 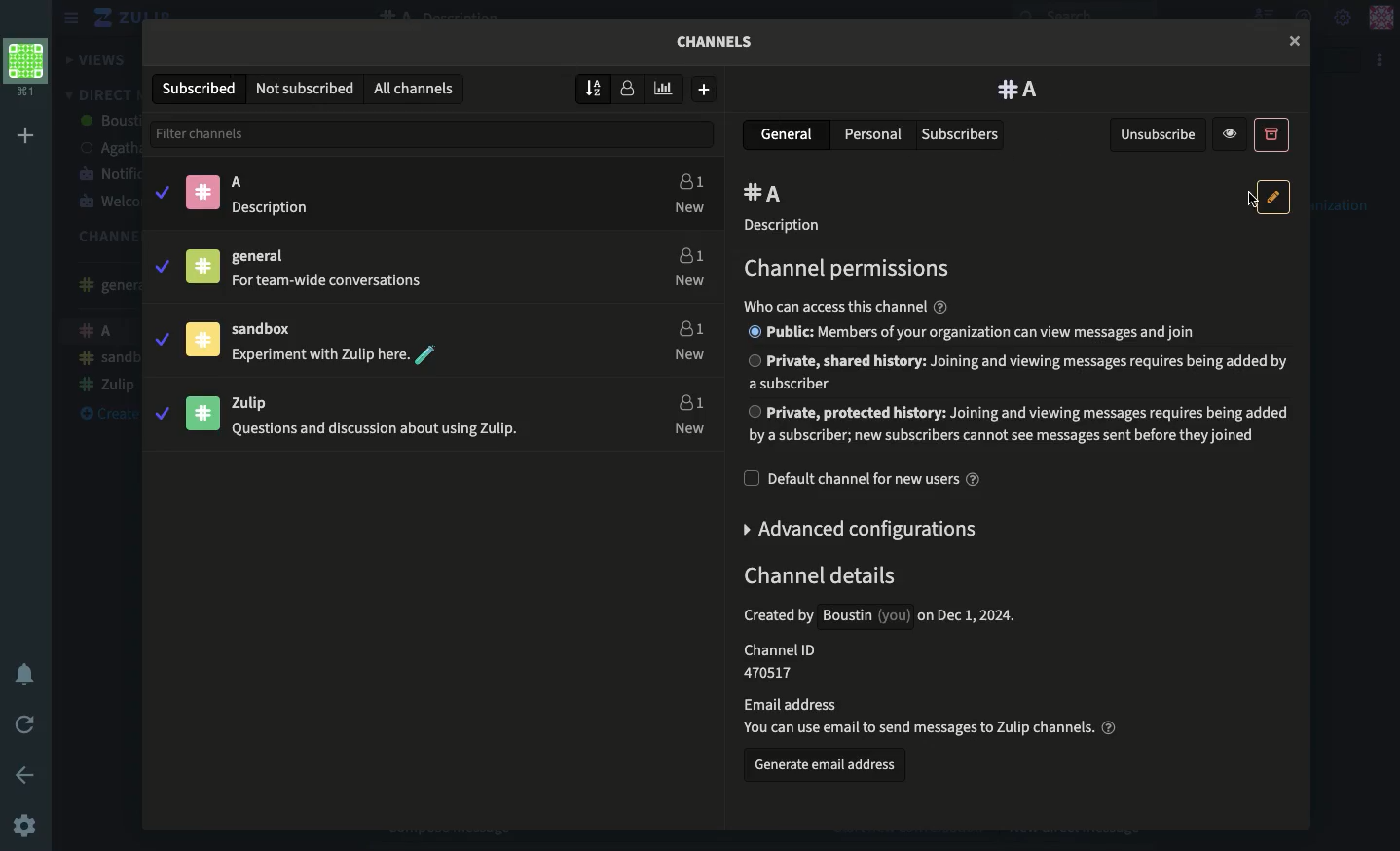 What do you see at coordinates (102, 415) in the screenshot?
I see `Create a channel` at bounding box center [102, 415].